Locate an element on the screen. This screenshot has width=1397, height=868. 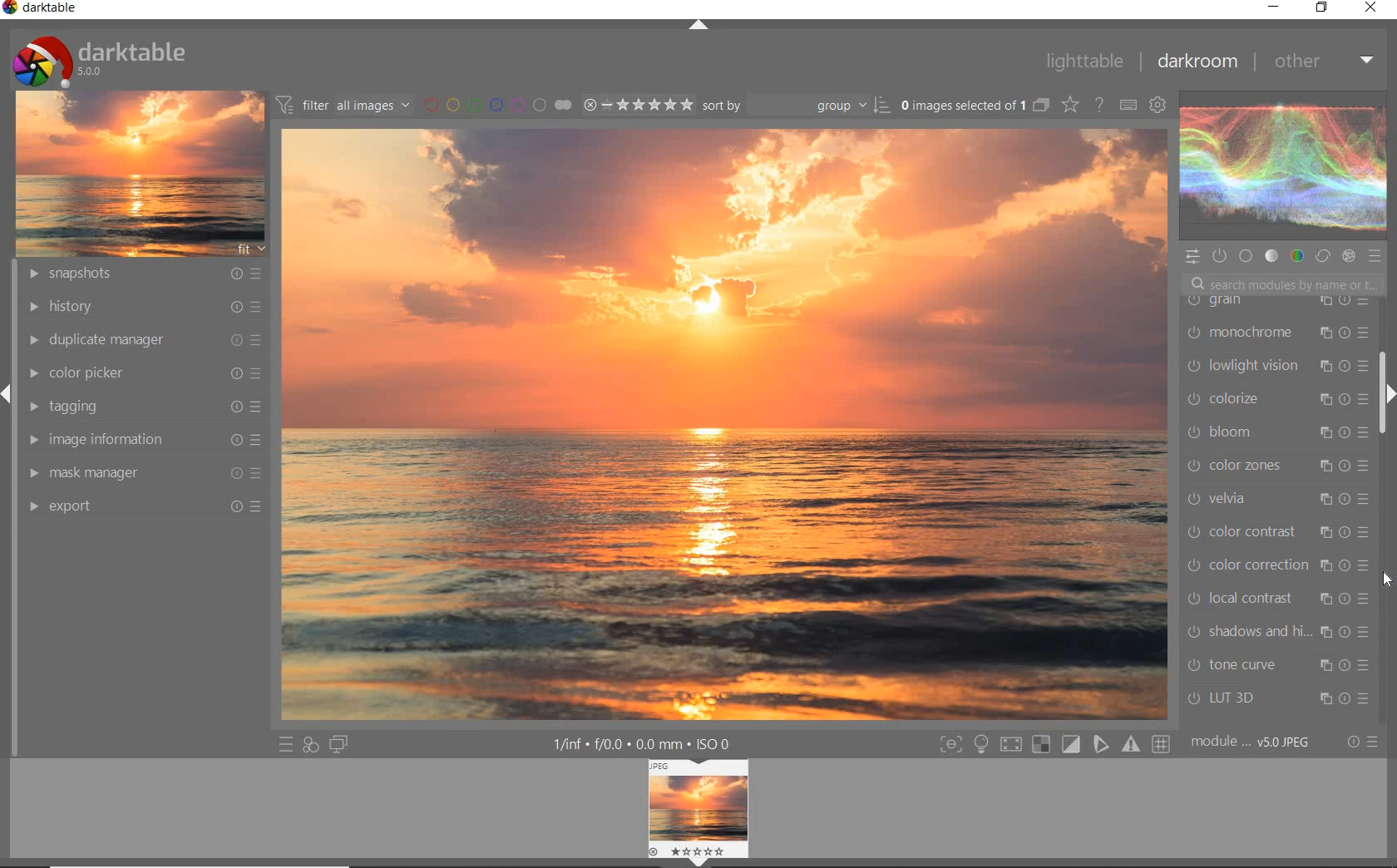
IMAGE is located at coordinates (140, 172).